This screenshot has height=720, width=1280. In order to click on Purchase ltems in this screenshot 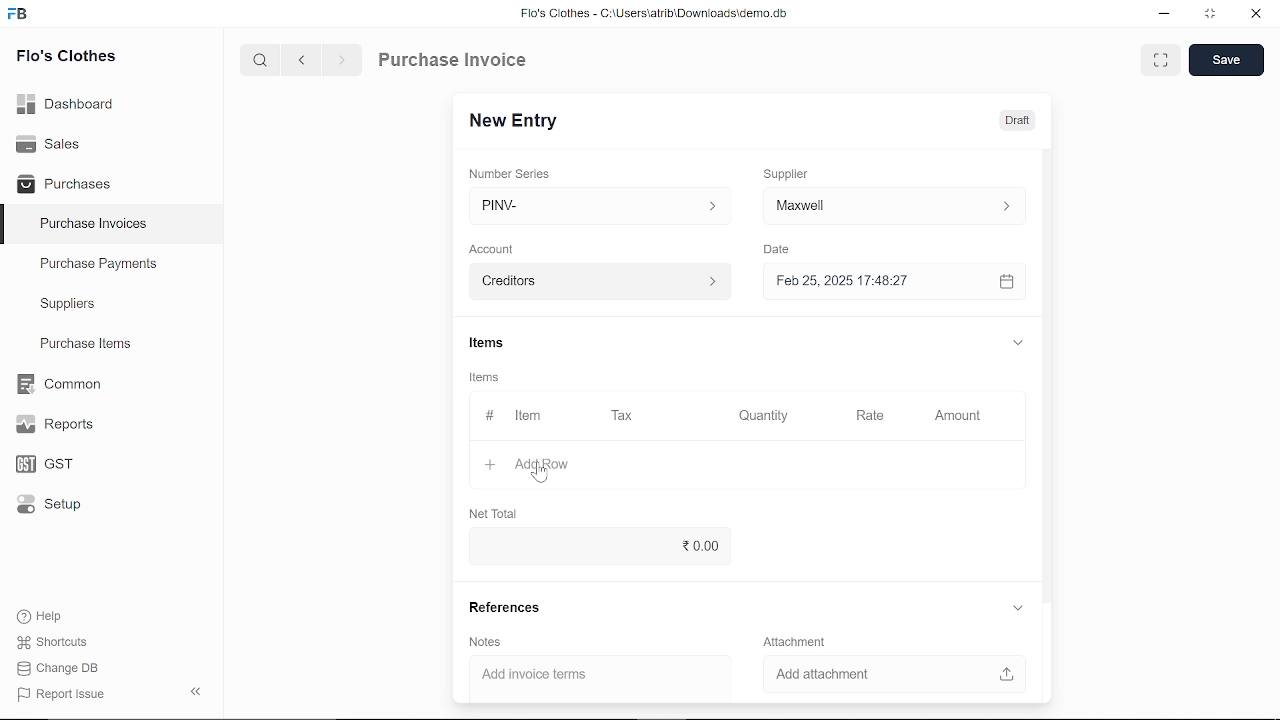, I will do `click(83, 345)`.